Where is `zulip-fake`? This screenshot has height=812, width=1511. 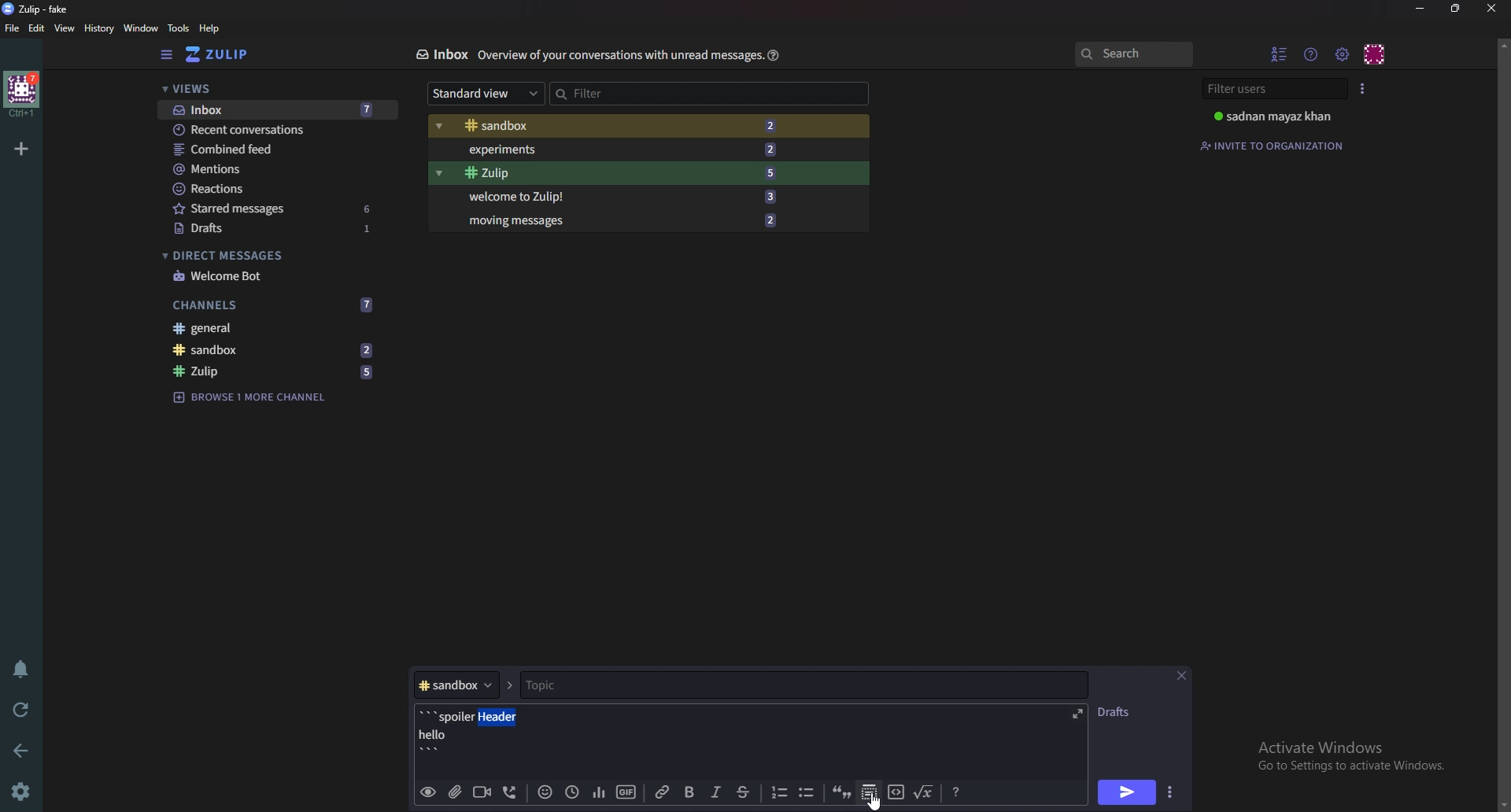 zulip-fake is located at coordinates (39, 9).